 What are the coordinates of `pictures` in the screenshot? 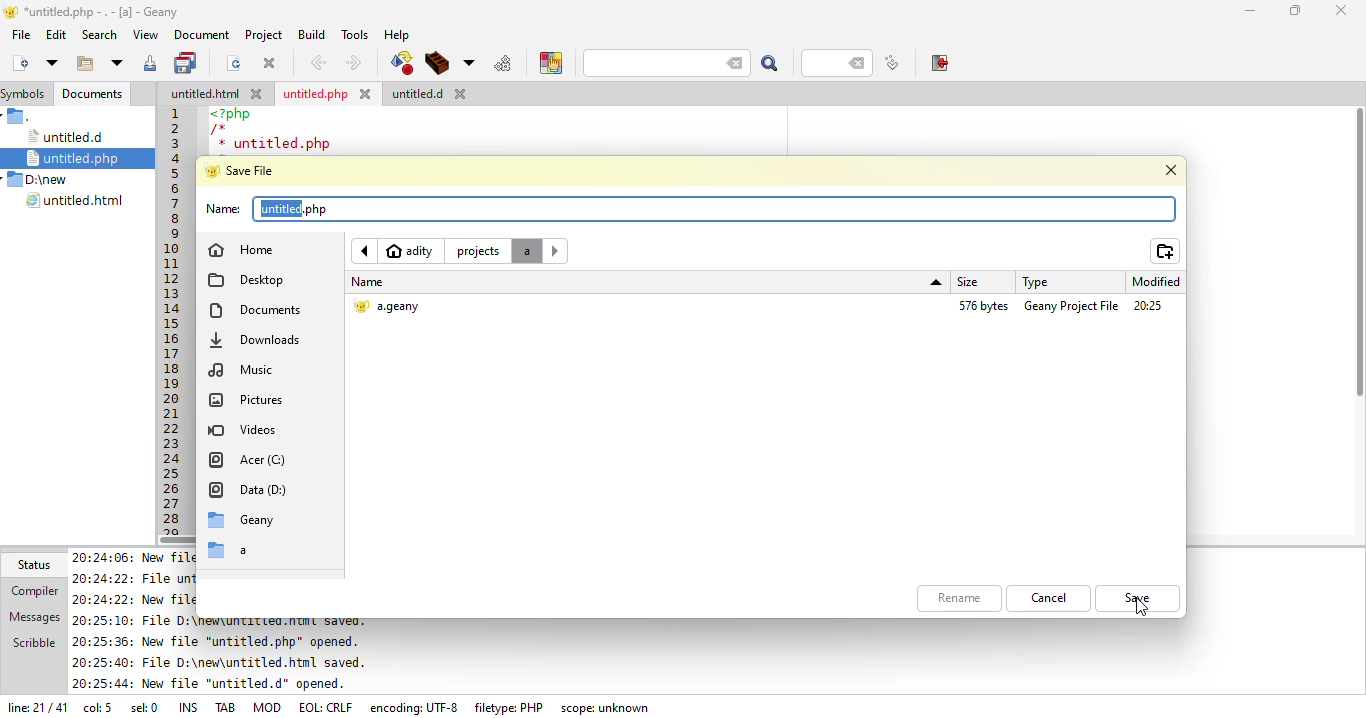 It's located at (249, 400).